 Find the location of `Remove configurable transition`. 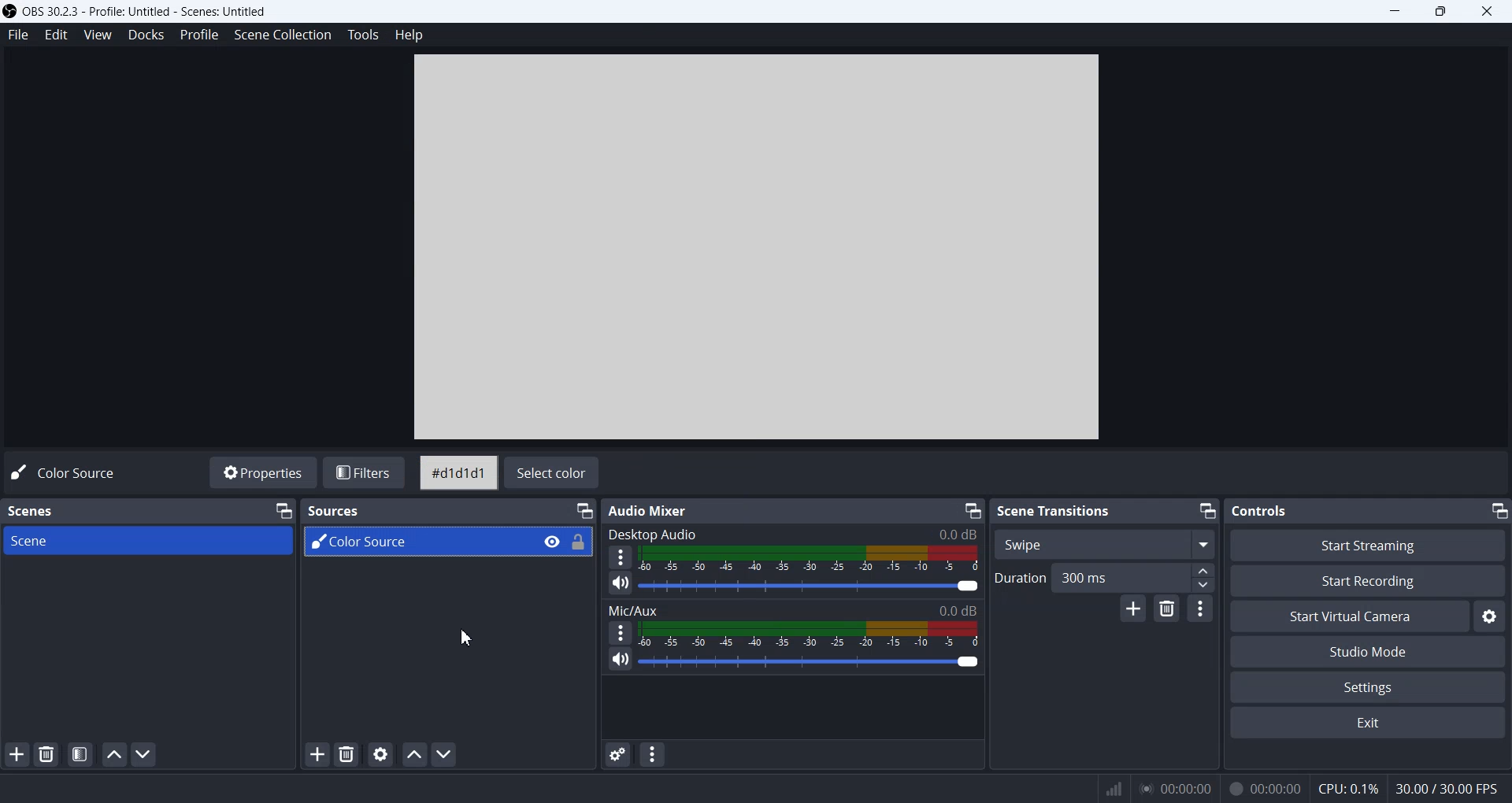

Remove configurable transition is located at coordinates (1166, 609).